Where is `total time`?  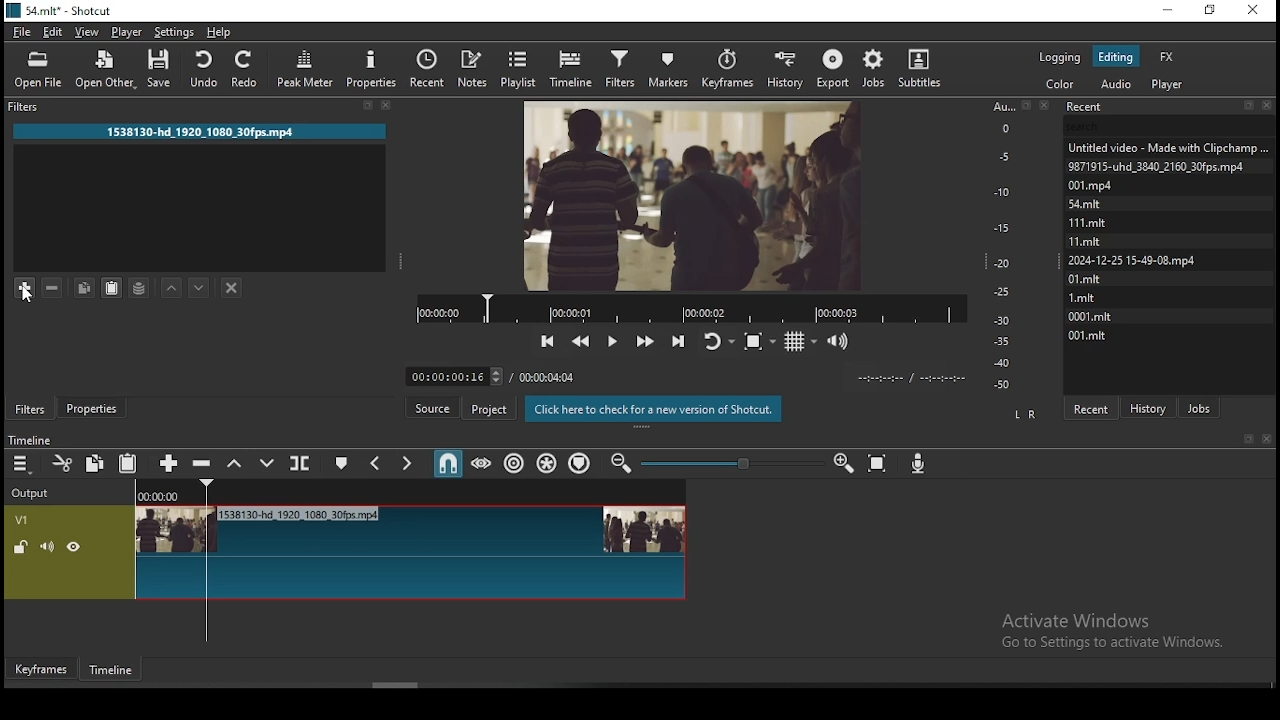
total time is located at coordinates (547, 376).